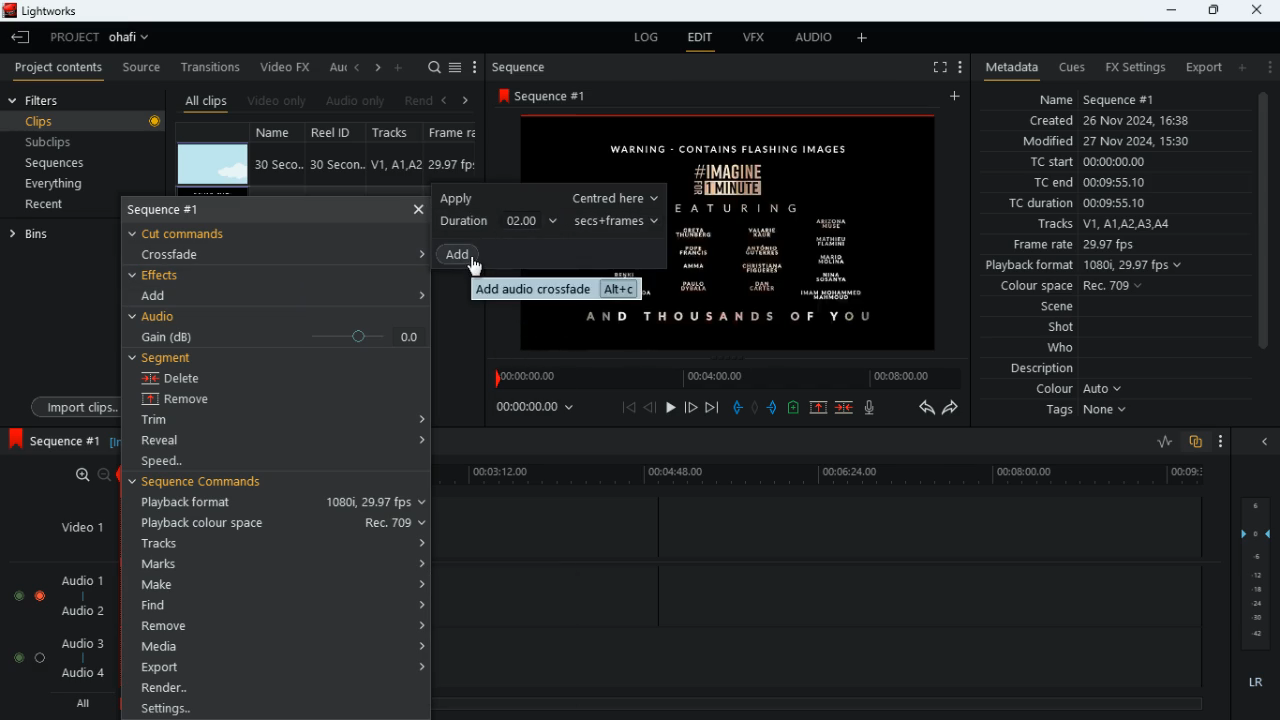 This screenshot has height=720, width=1280. I want to click on front, so click(692, 407).